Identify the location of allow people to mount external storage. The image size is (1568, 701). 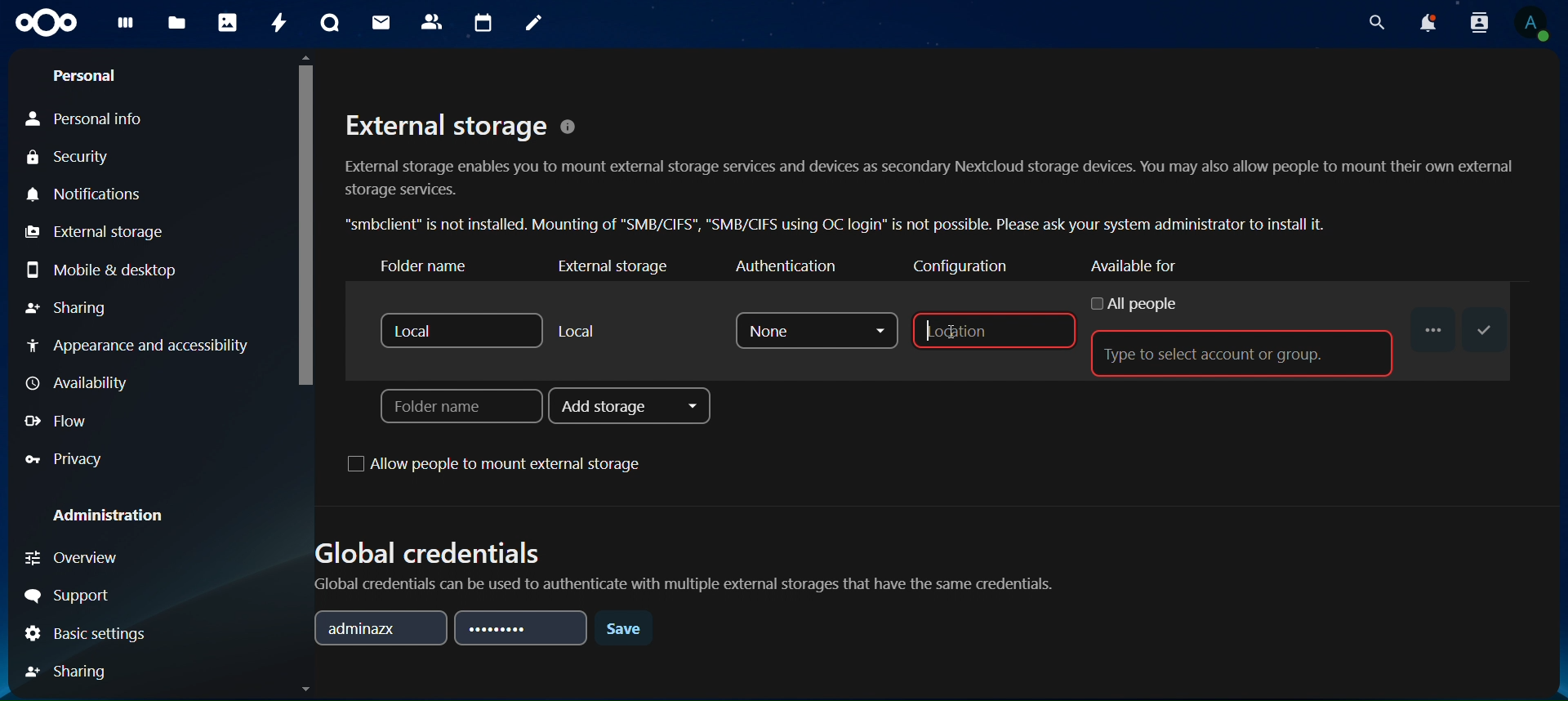
(503, 466).